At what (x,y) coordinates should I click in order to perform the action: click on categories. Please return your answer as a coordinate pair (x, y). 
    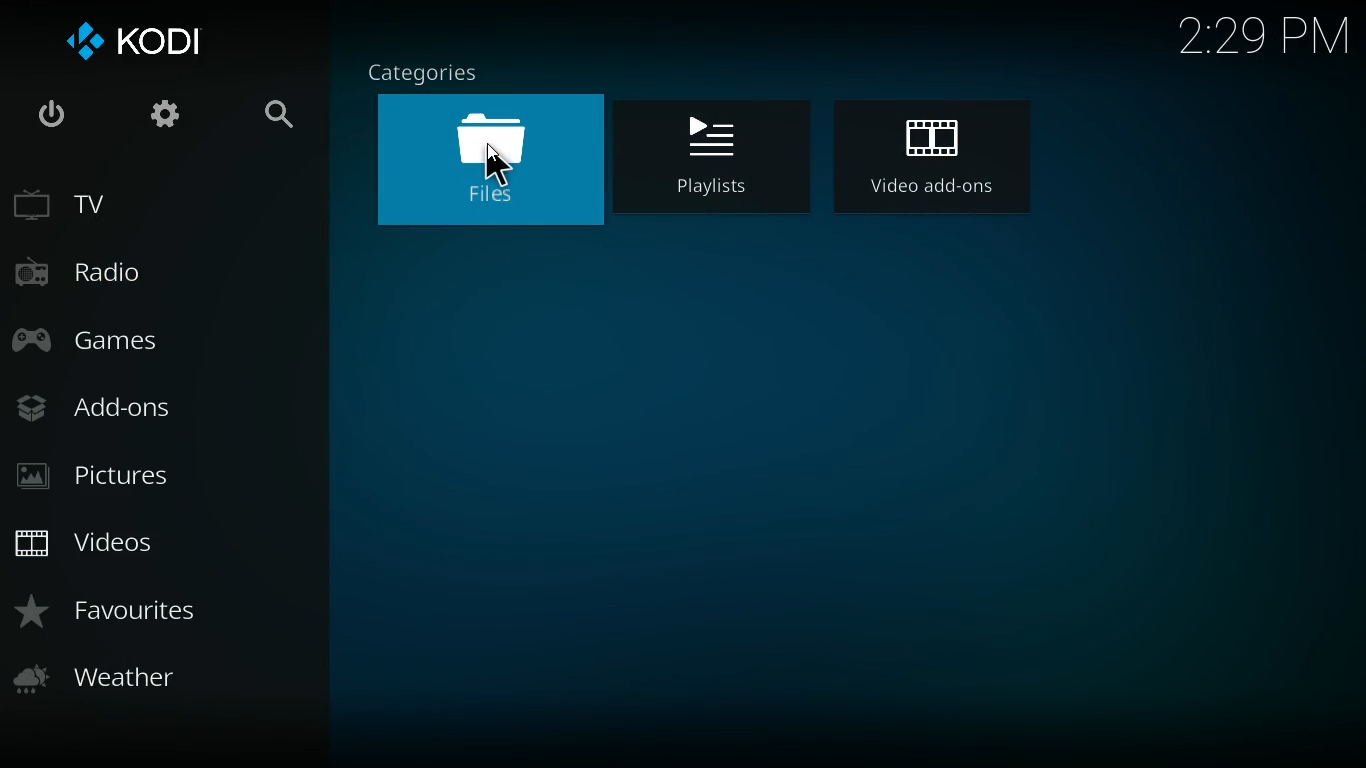
    Looking at the image, I should click on (425, 71).